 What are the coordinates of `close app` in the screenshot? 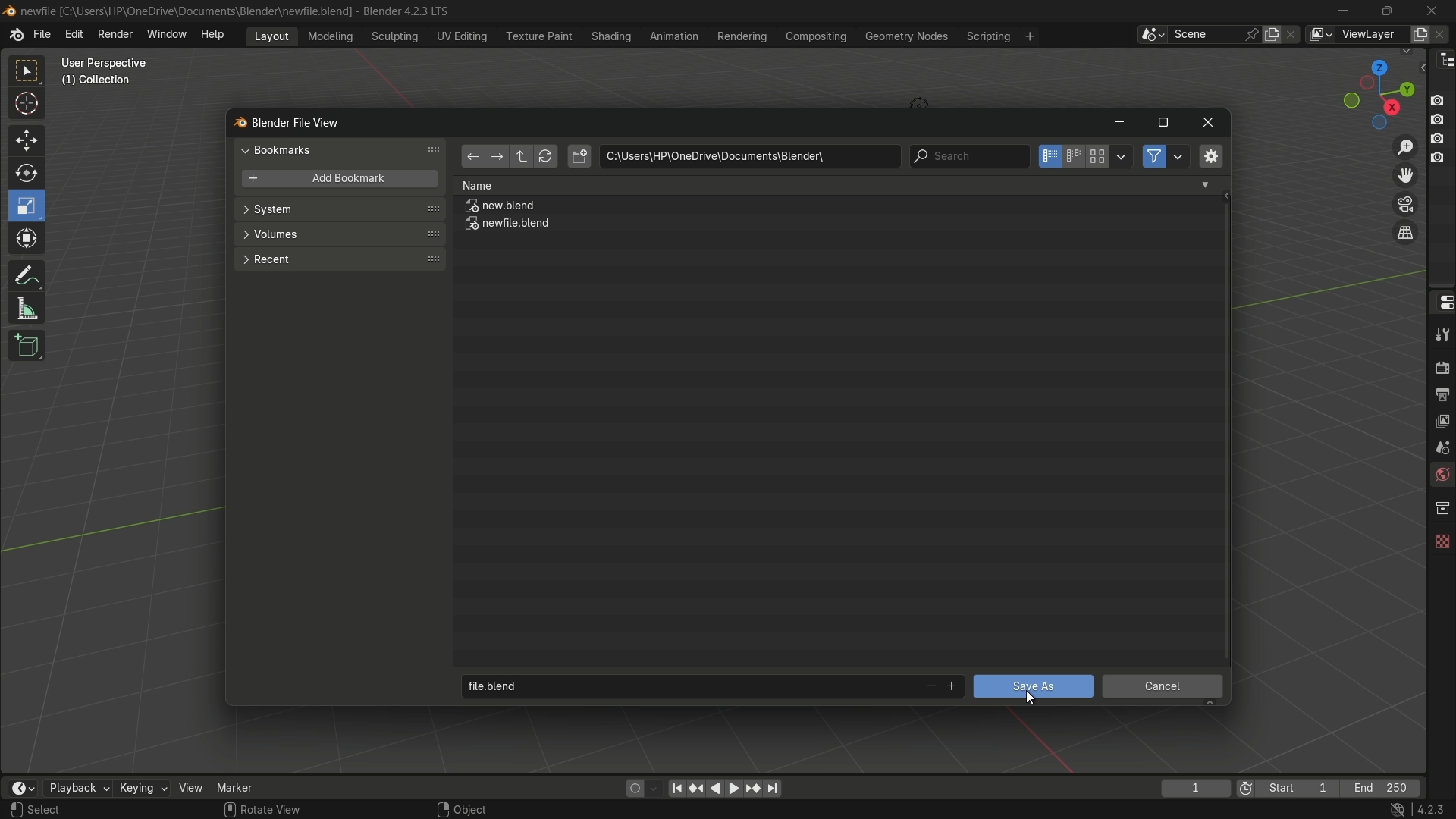 It's located at (1432, 10).